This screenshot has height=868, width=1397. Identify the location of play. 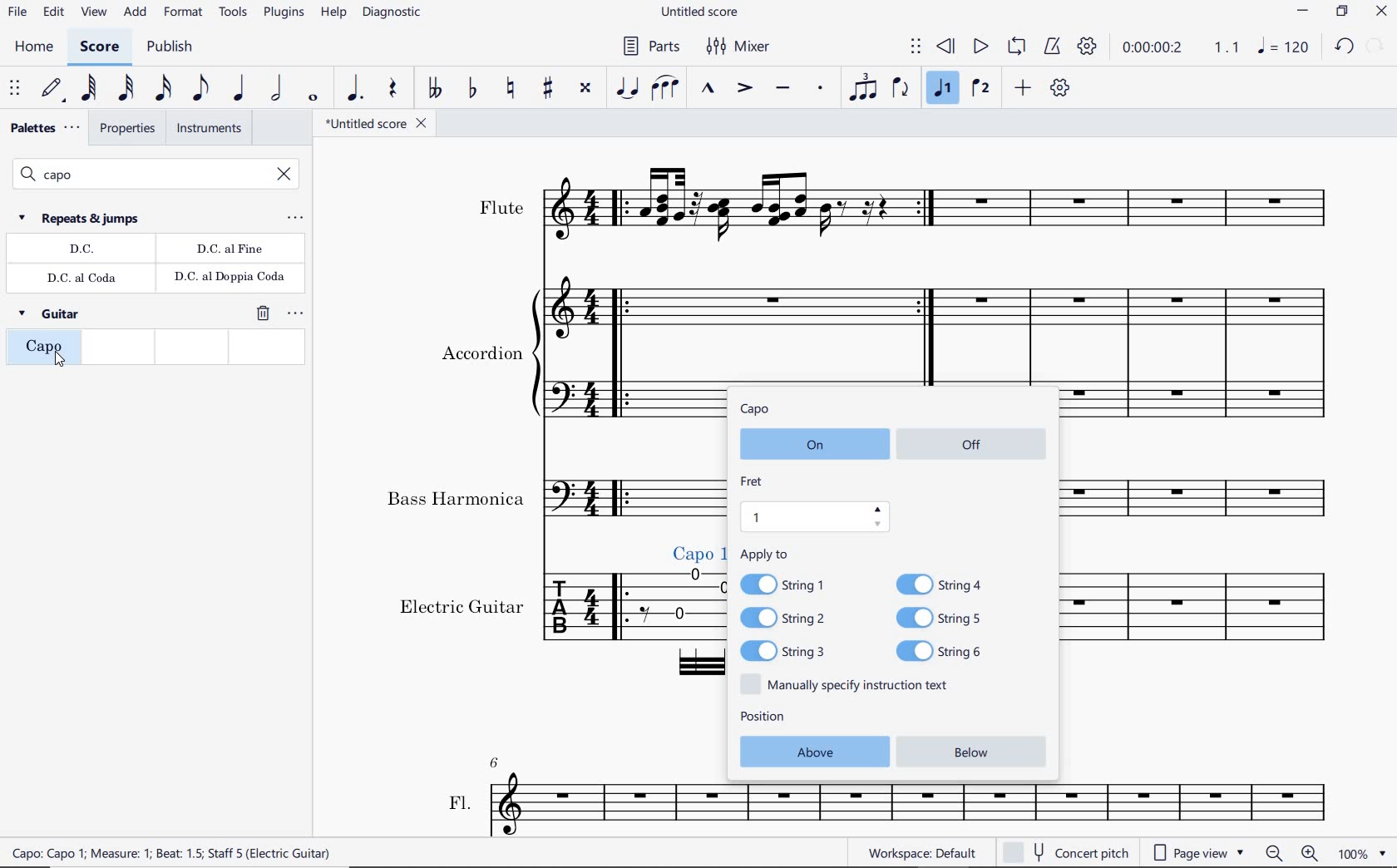
(979, 47).